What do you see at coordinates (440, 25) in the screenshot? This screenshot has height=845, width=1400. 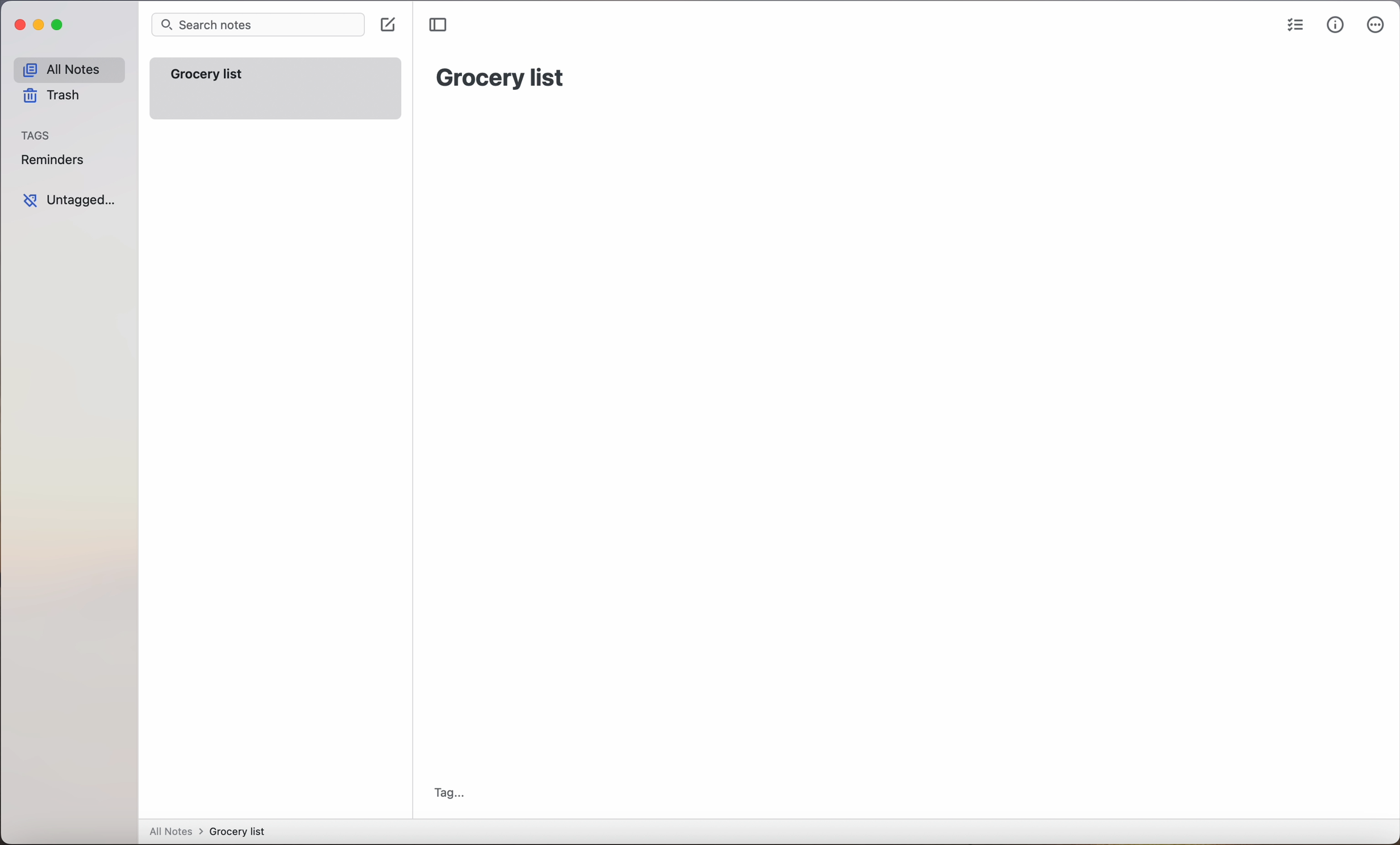 I see `toggle sidebar` at bounding box center [440, 25].